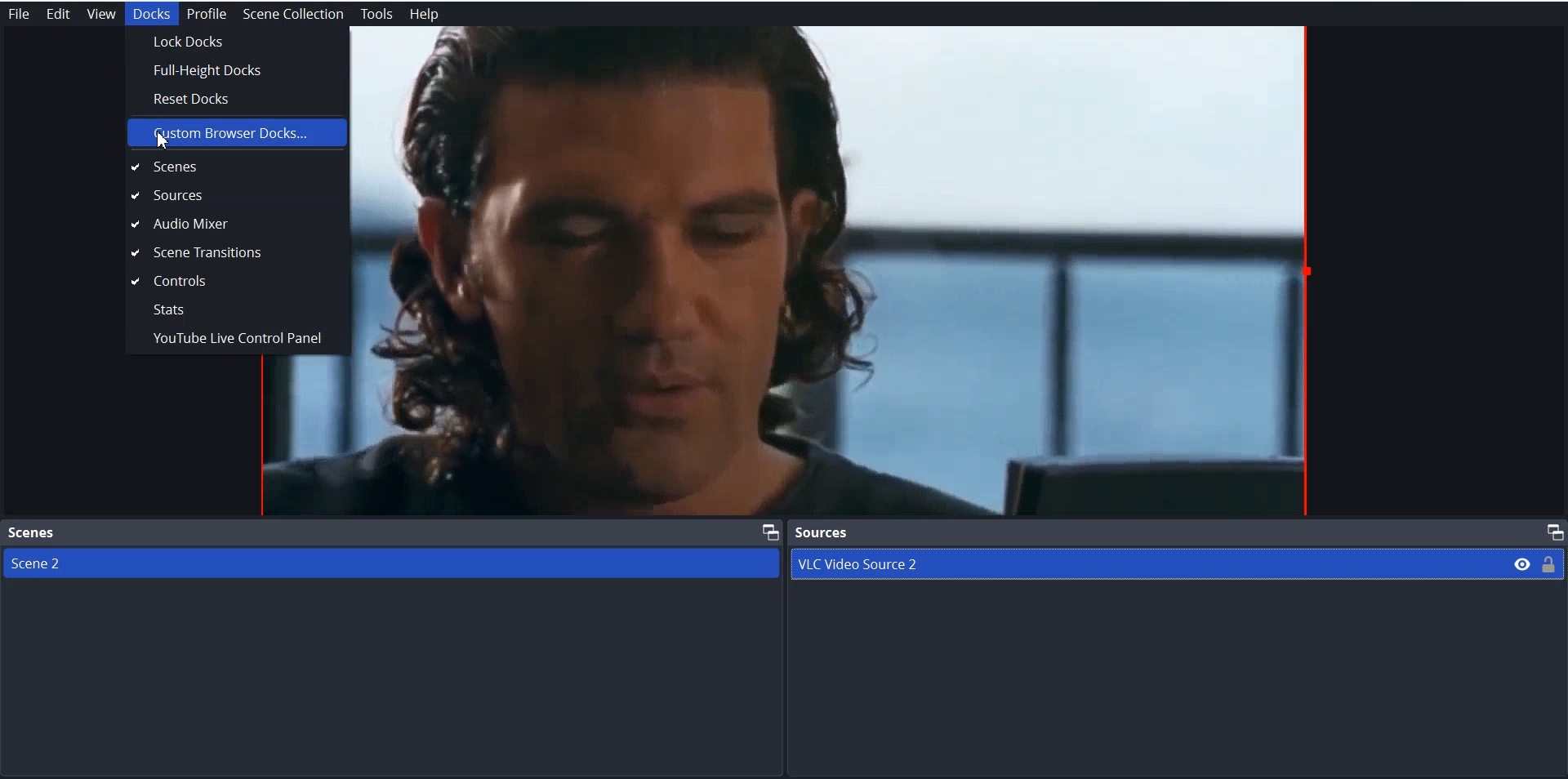 The image size is (1568, 779). What do you see at coordinates (425, 15) in the screenshot?
I see `Help` at bounding box center [425, 15].